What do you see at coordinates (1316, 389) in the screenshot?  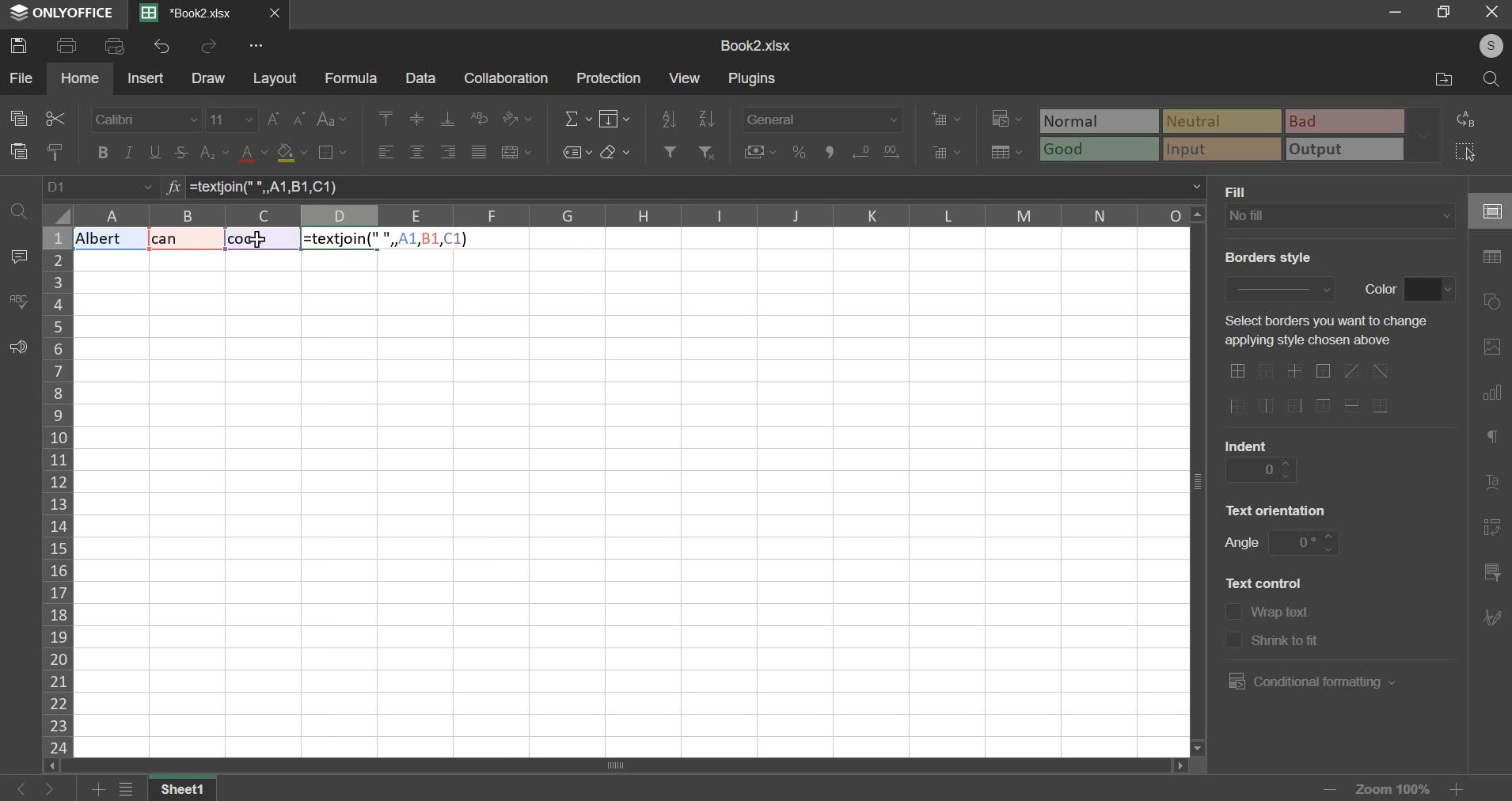 I see `border options` at bounding box center [1316, 389].